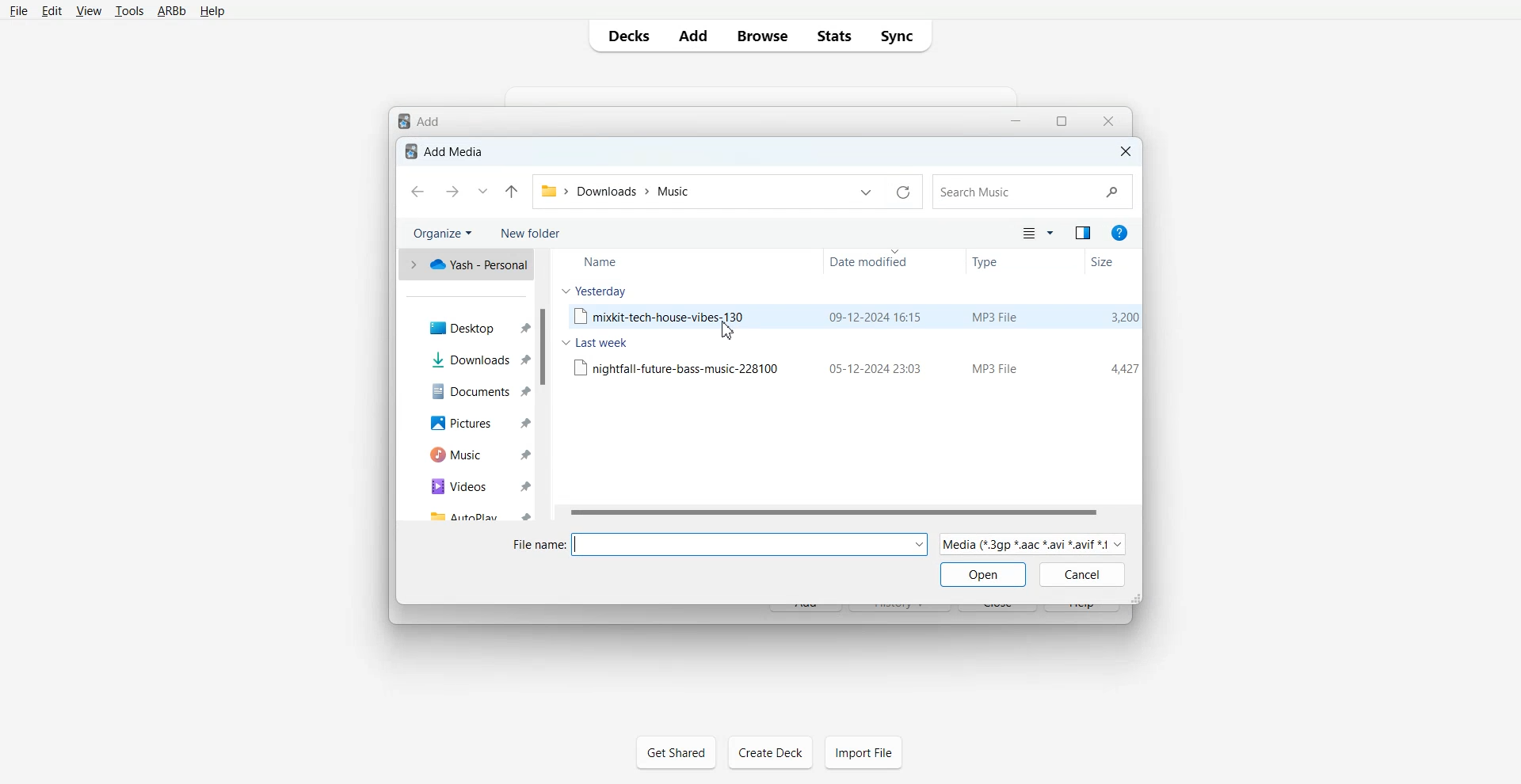  I want to click on Size, so click(1107, 261).